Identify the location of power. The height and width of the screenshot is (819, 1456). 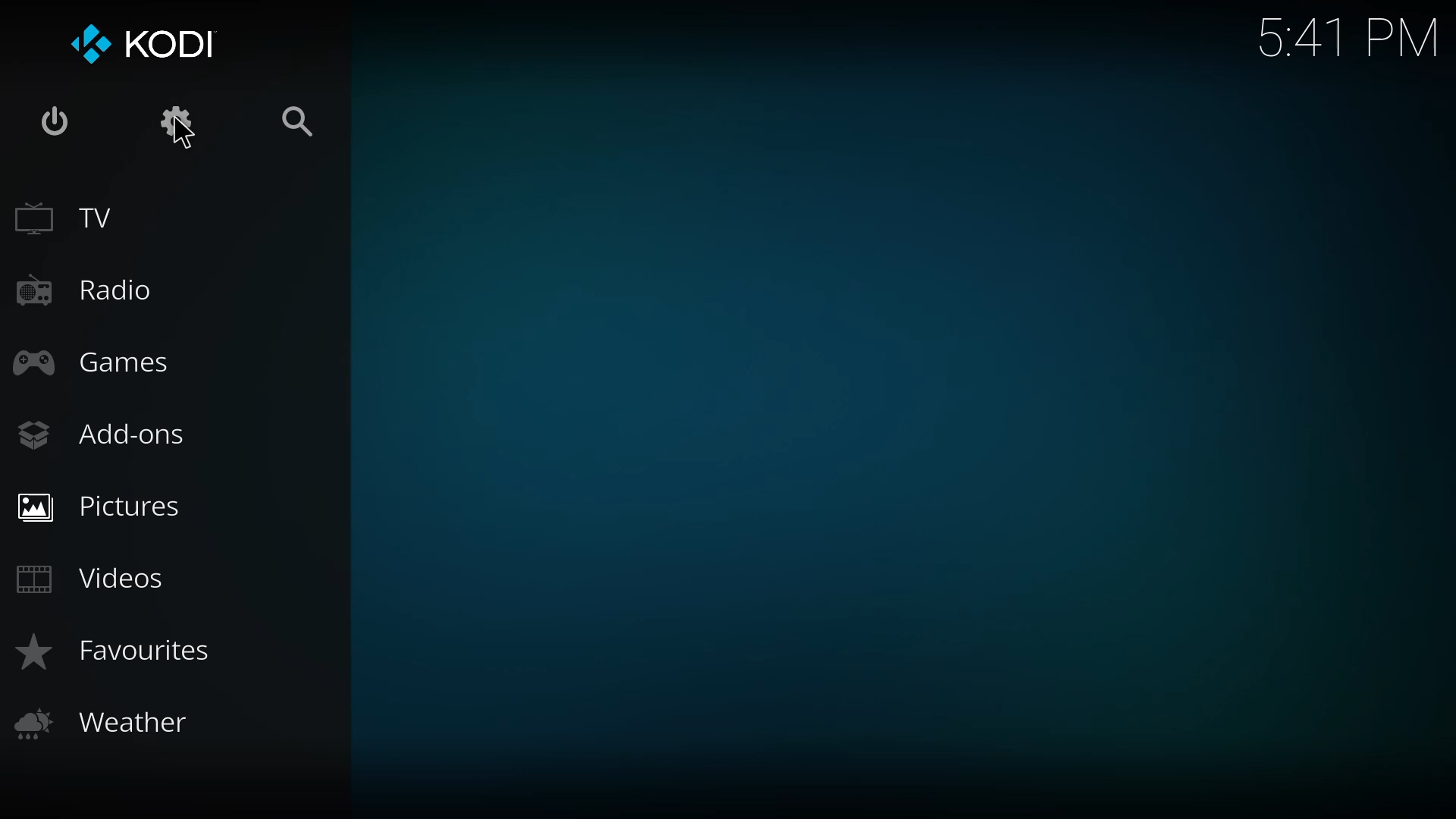
(55, 121).